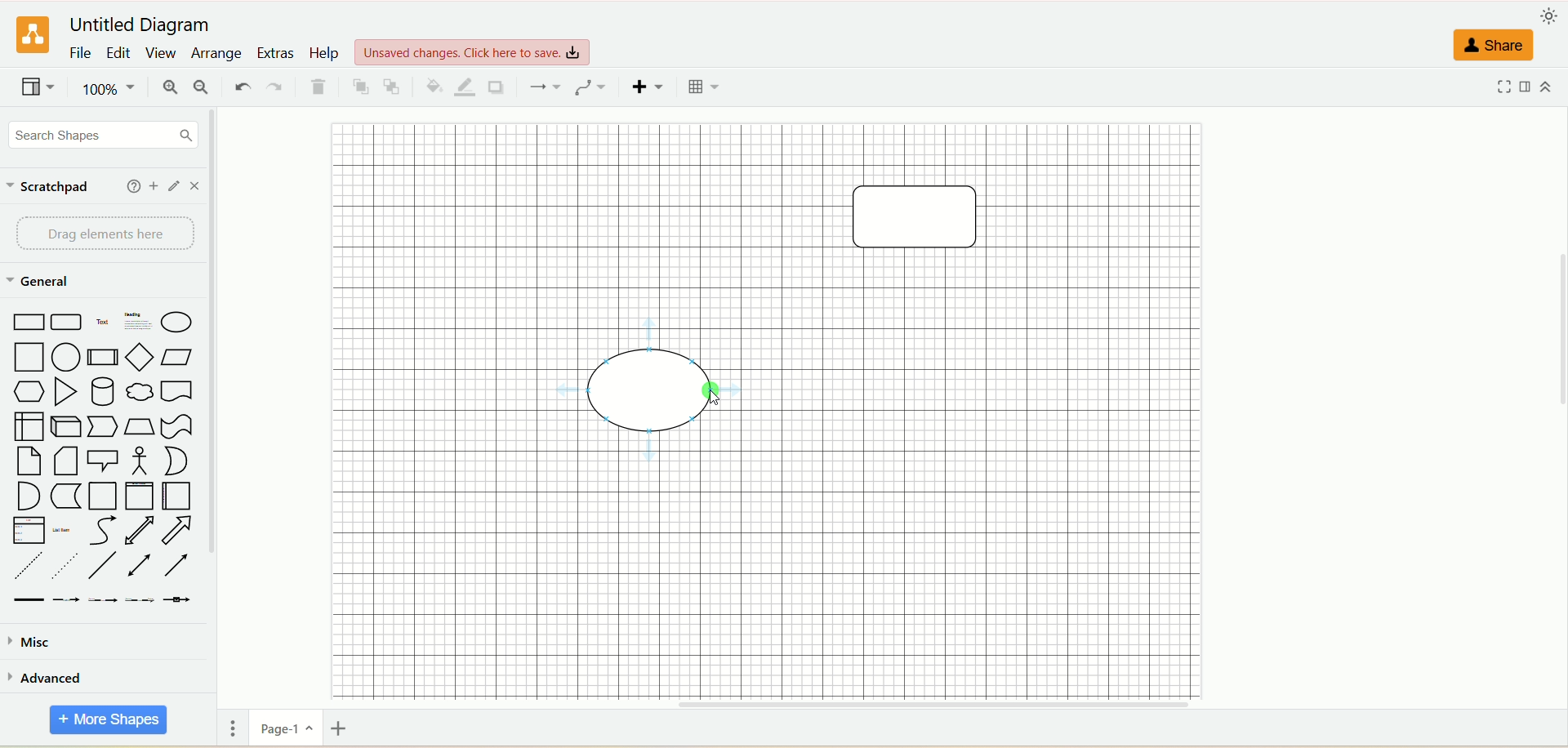 This screenshot has height=748, width=1568. Describe the element at coordinates (320, 88) in the screenshot. I see `delete` at that location.